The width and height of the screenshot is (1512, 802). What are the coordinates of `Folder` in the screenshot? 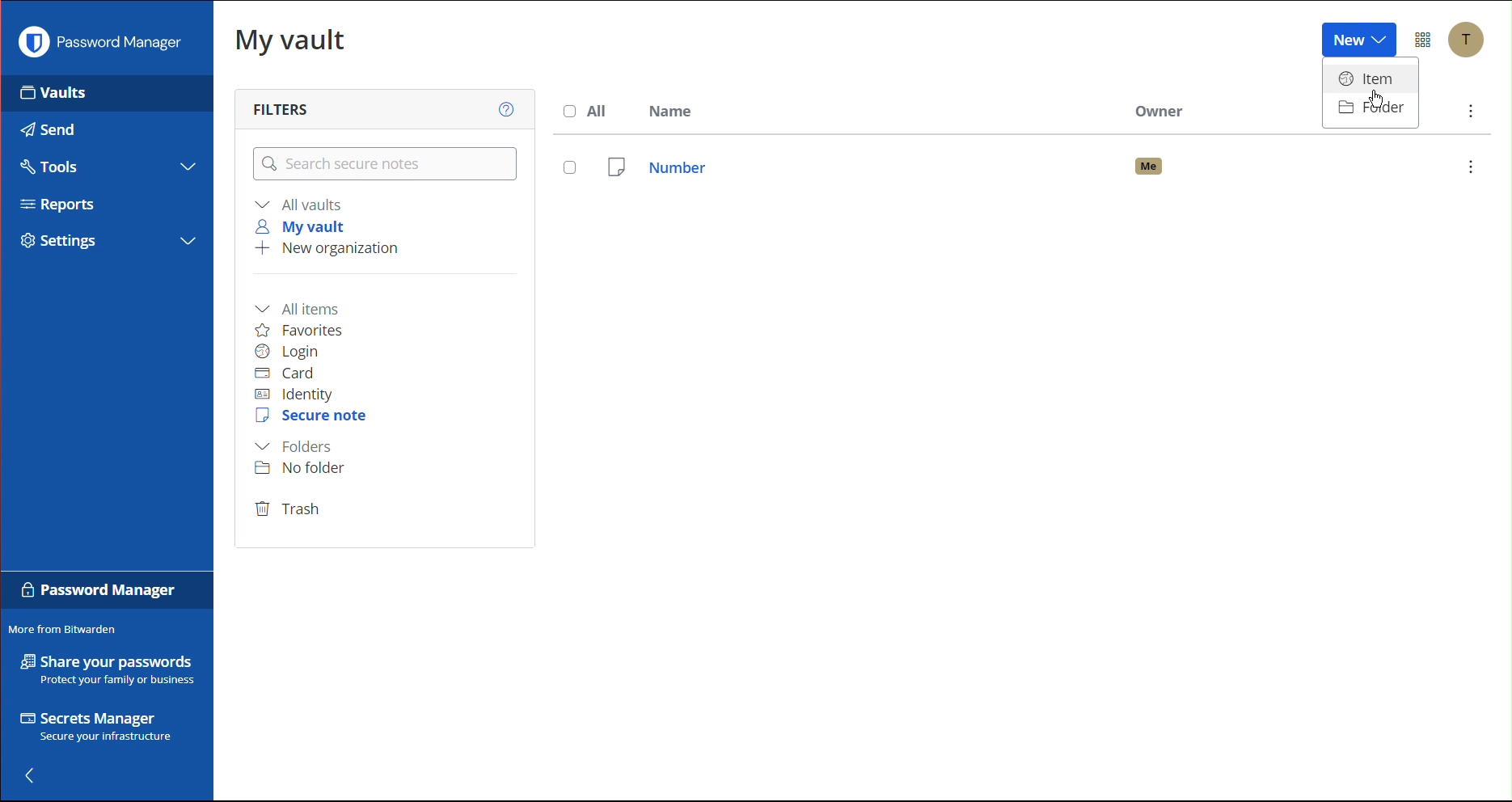 It's located at (1375, 108).